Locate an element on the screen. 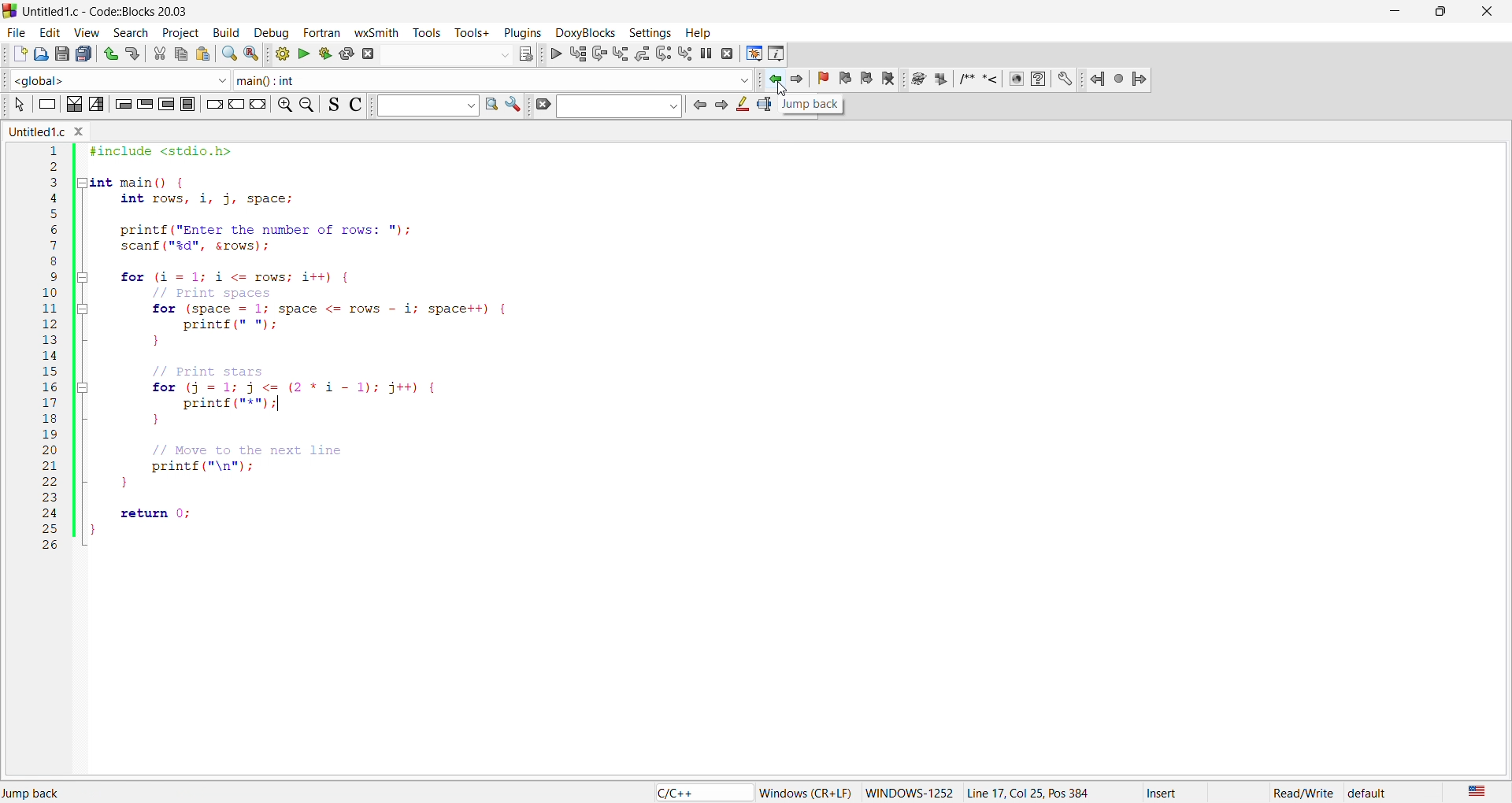  settings is located at coordinates (513, 105).